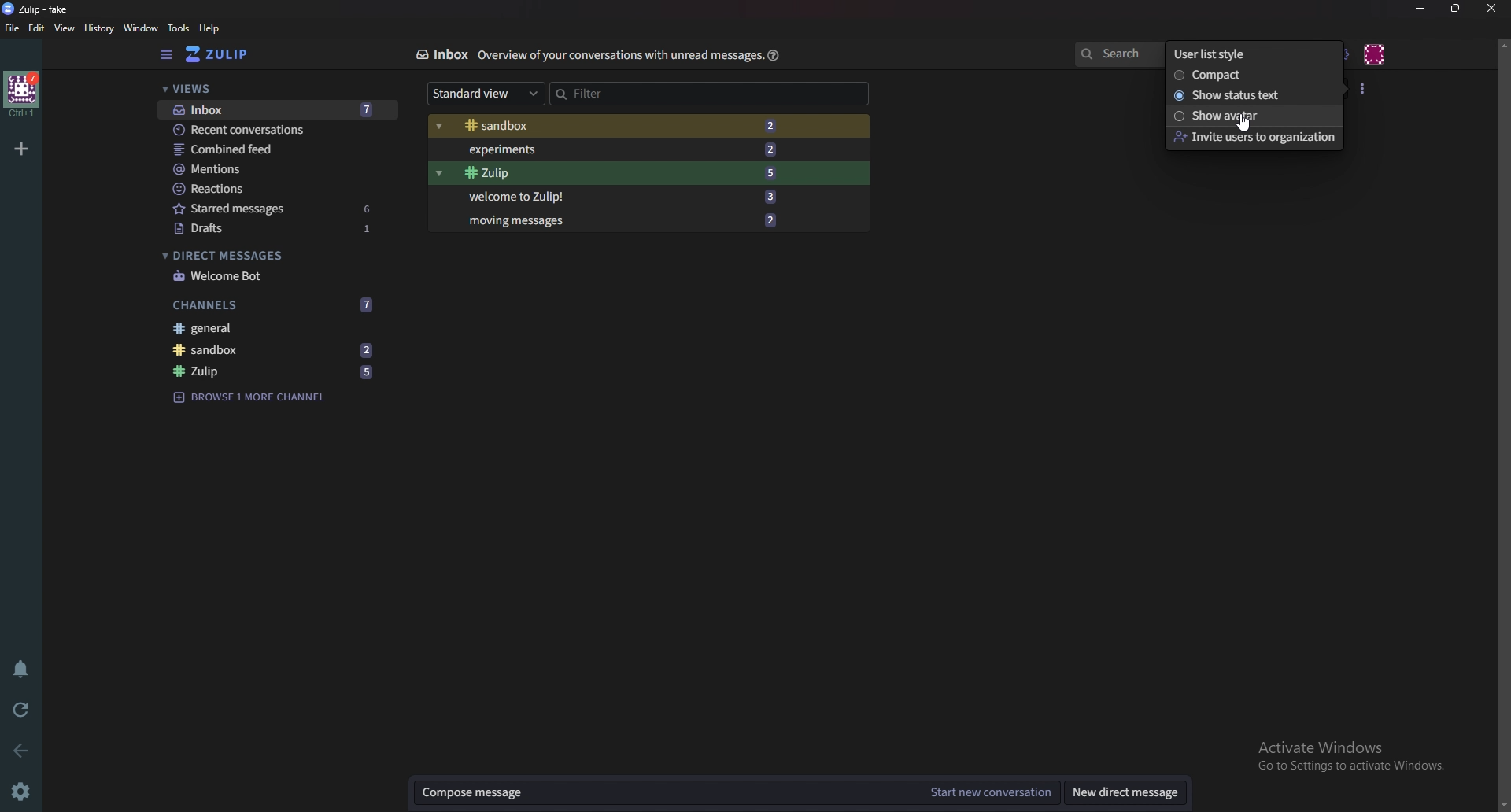 The image size is (1511, 812). What do you see at coordinates (275, 229) in the screenshot?
I see `drafts` at bounding box center [275, 229].